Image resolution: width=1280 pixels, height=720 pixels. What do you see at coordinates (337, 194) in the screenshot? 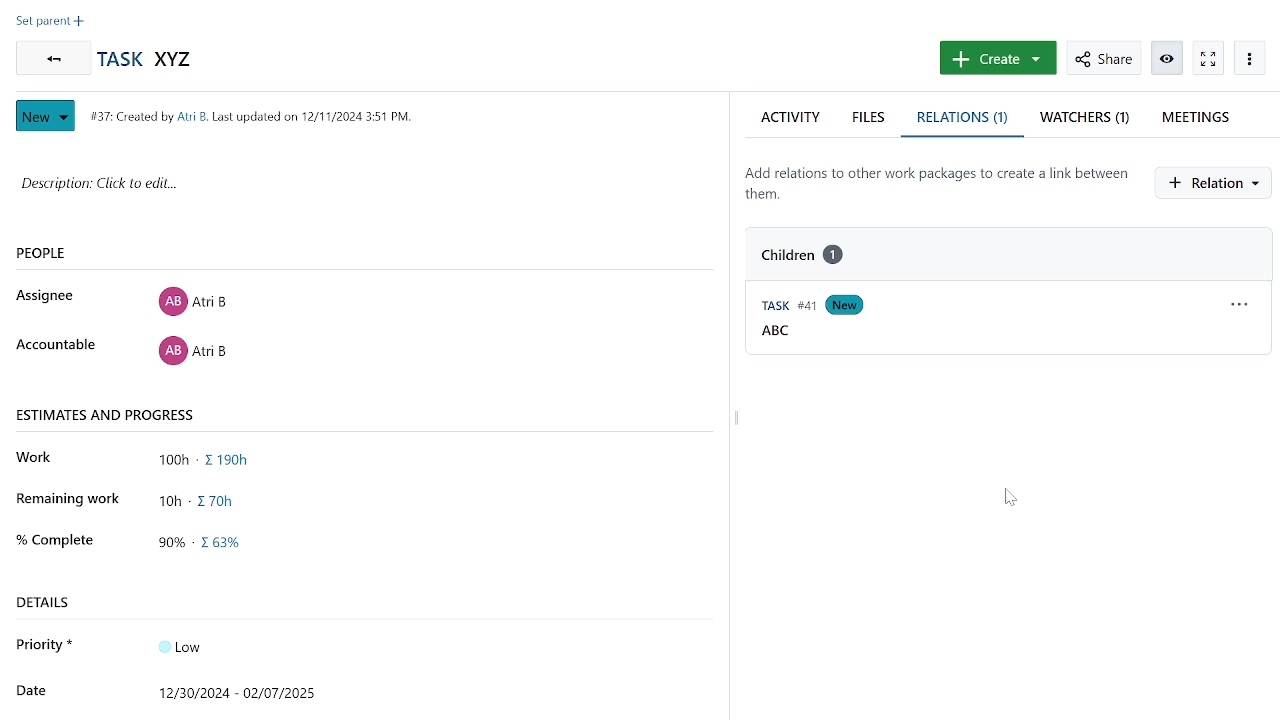
I see `space for adding description` at bounding box center [337, 194].